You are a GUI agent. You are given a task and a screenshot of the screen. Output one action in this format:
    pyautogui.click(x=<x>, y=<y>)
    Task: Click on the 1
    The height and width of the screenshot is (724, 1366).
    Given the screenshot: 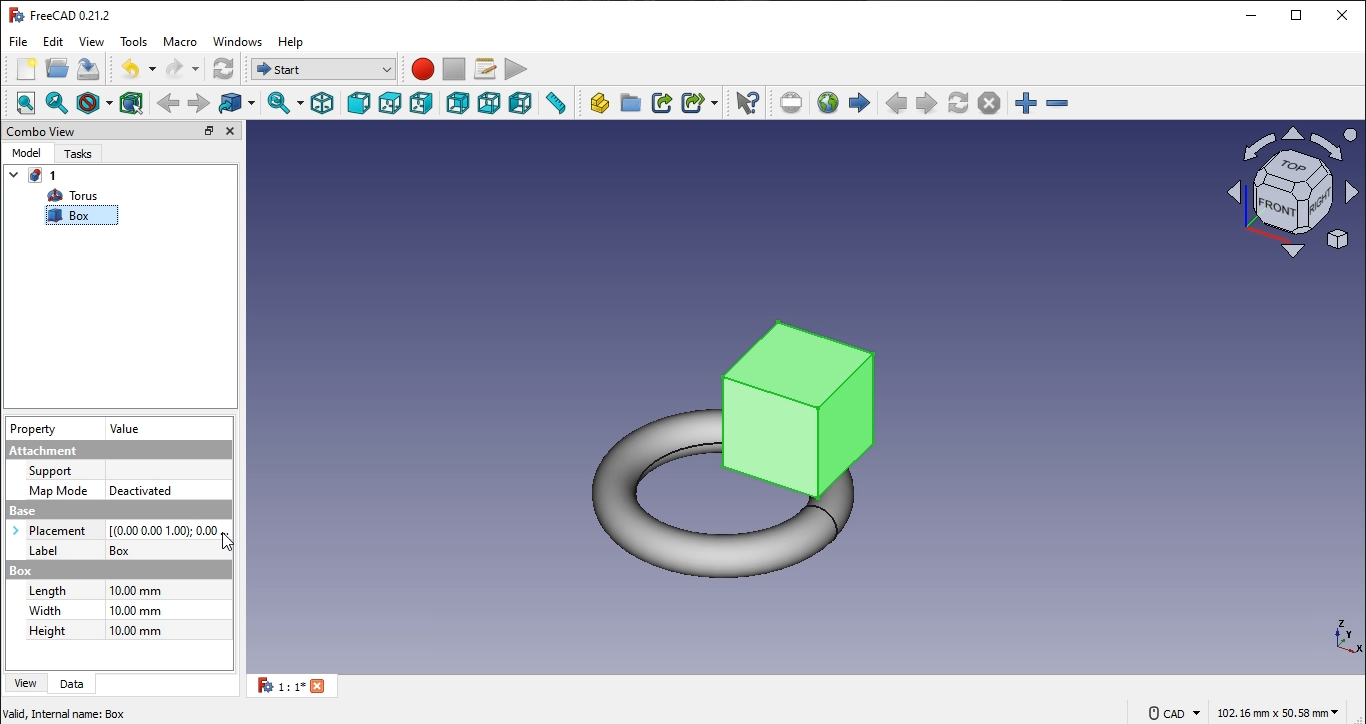 What is the action you would take?
    pyautogui.click(x=32, y=176)
    